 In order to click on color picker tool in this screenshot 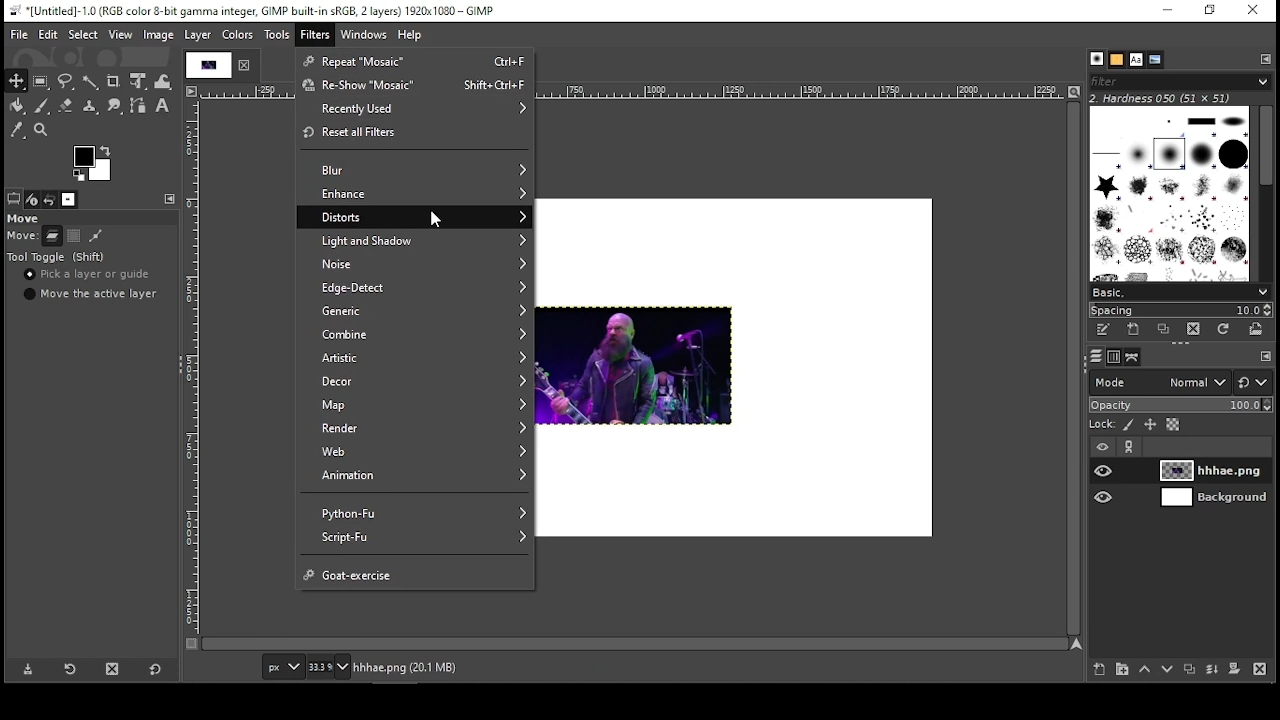, I will do `click(17, 131)`.